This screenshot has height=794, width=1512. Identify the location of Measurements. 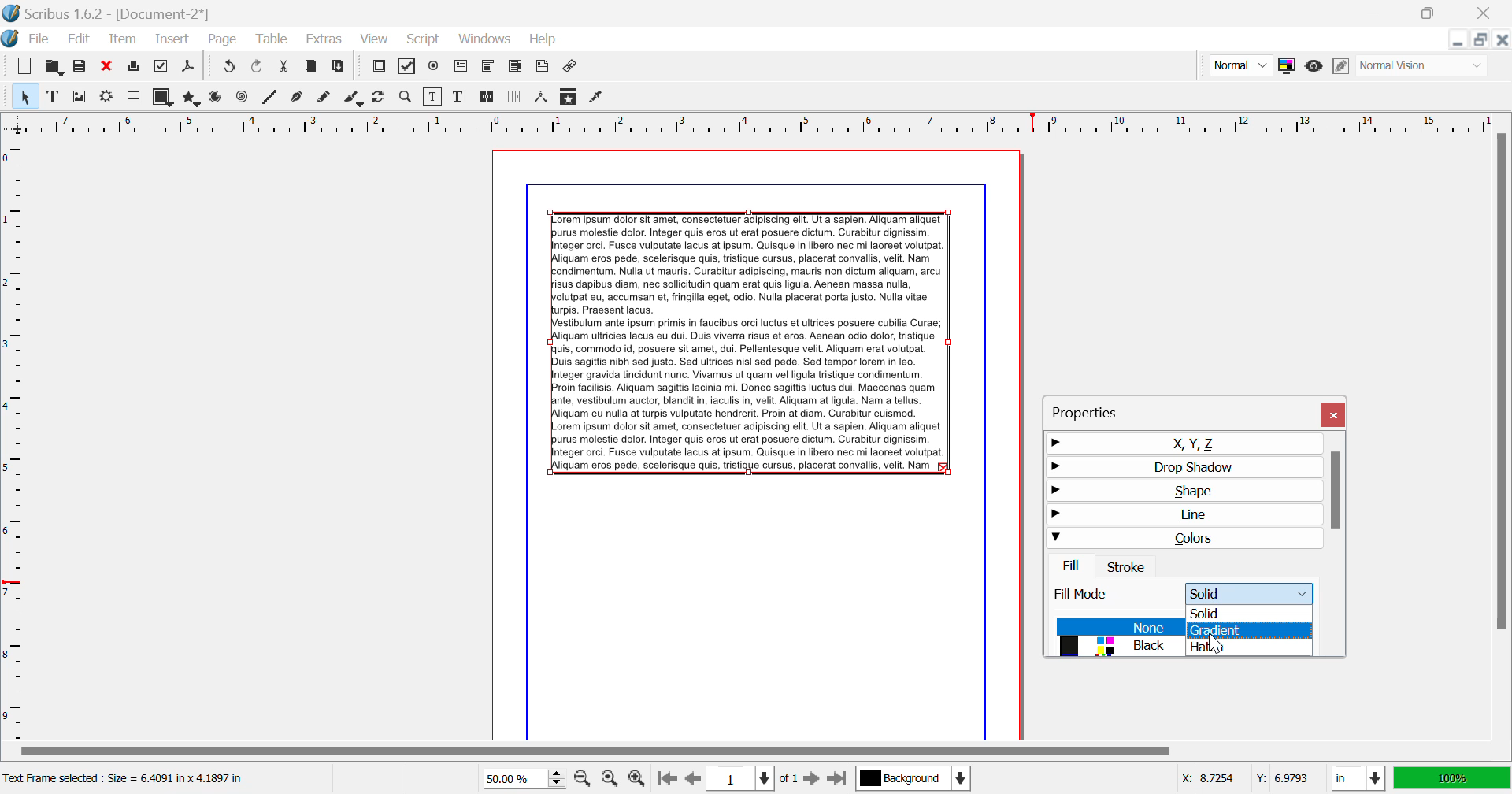
(543, 98).